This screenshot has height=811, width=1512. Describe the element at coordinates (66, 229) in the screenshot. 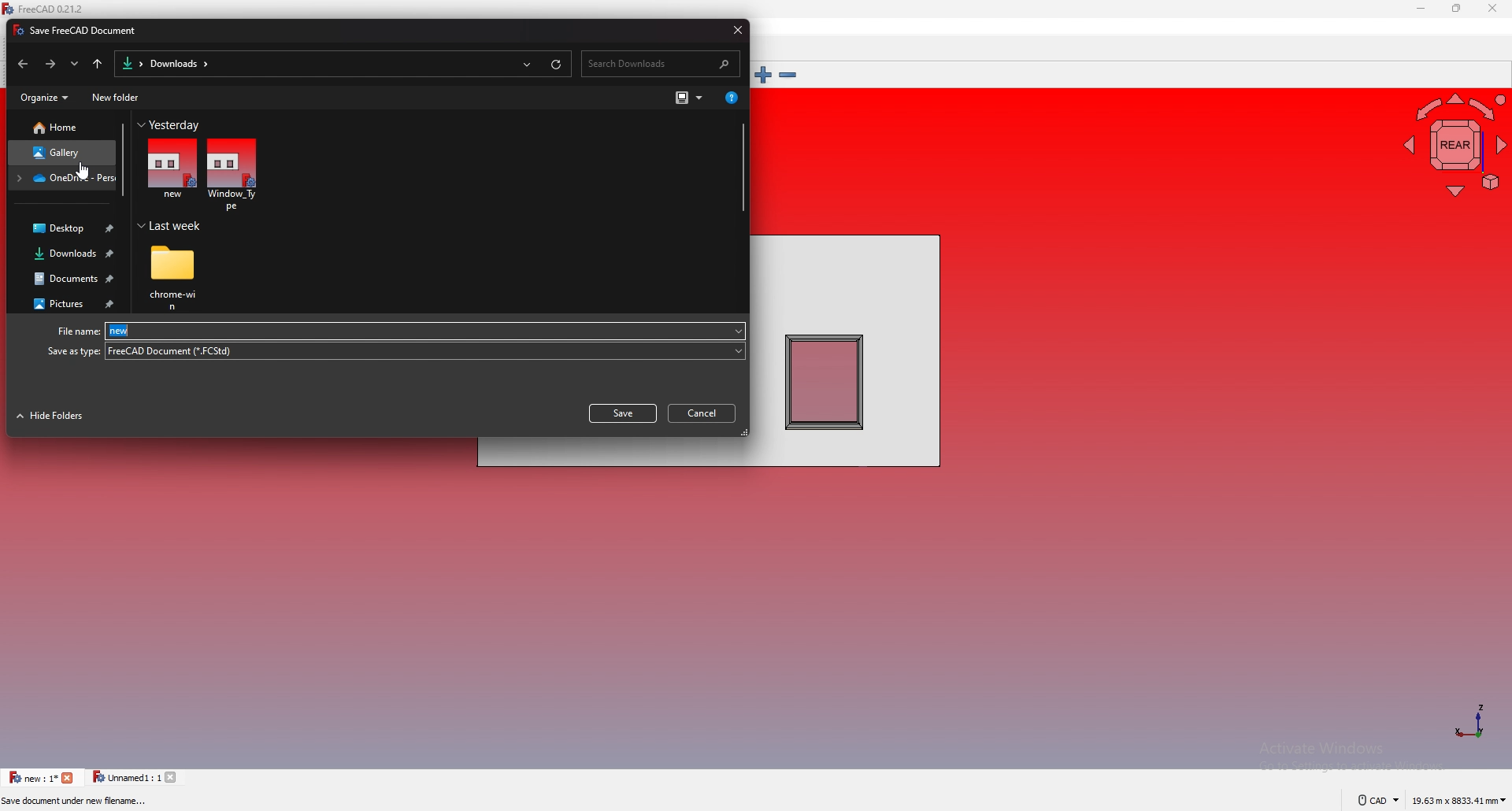

I see `desktop` at that location.